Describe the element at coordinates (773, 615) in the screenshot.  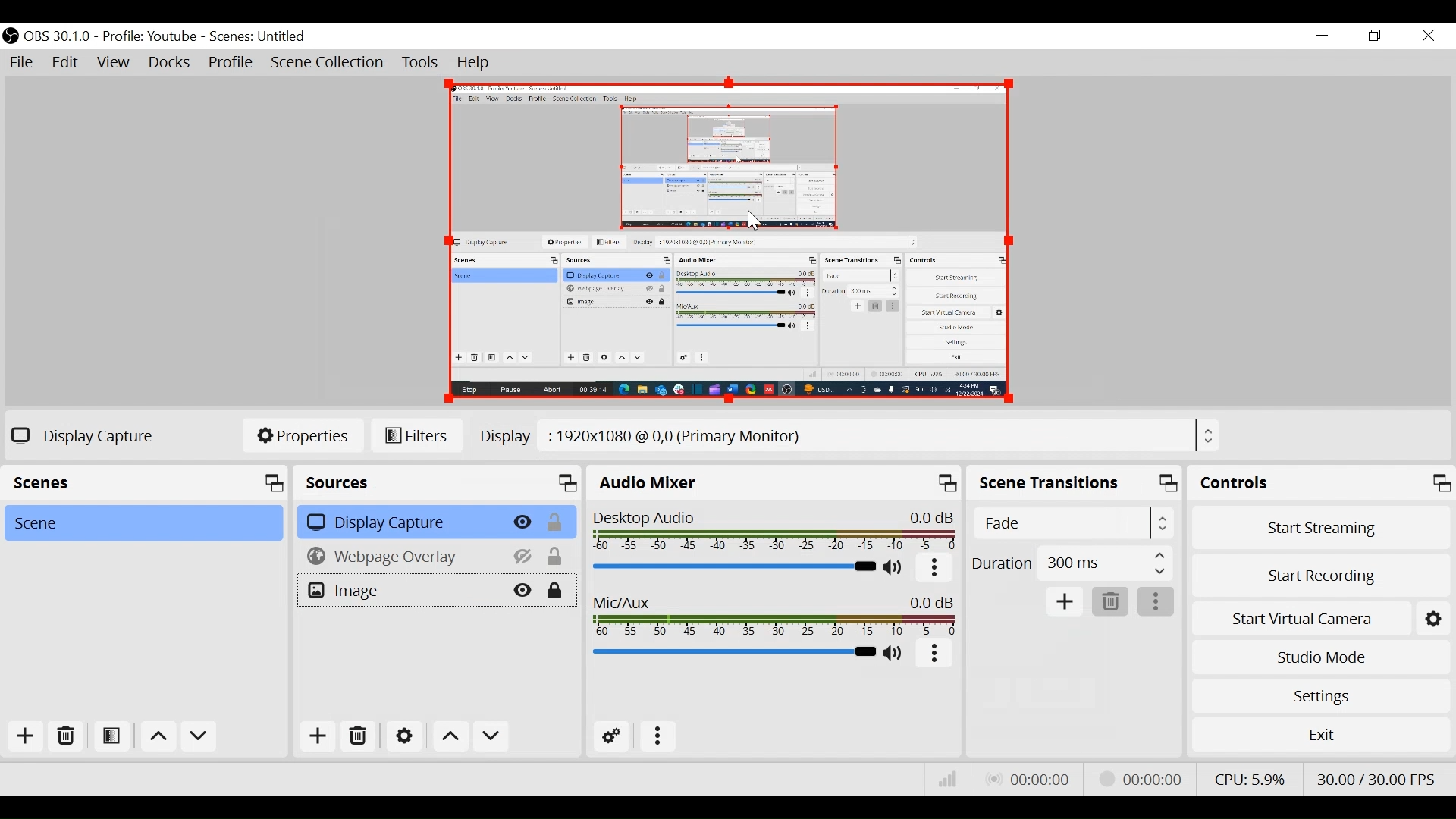
I see `Mic/Audio` at that location.